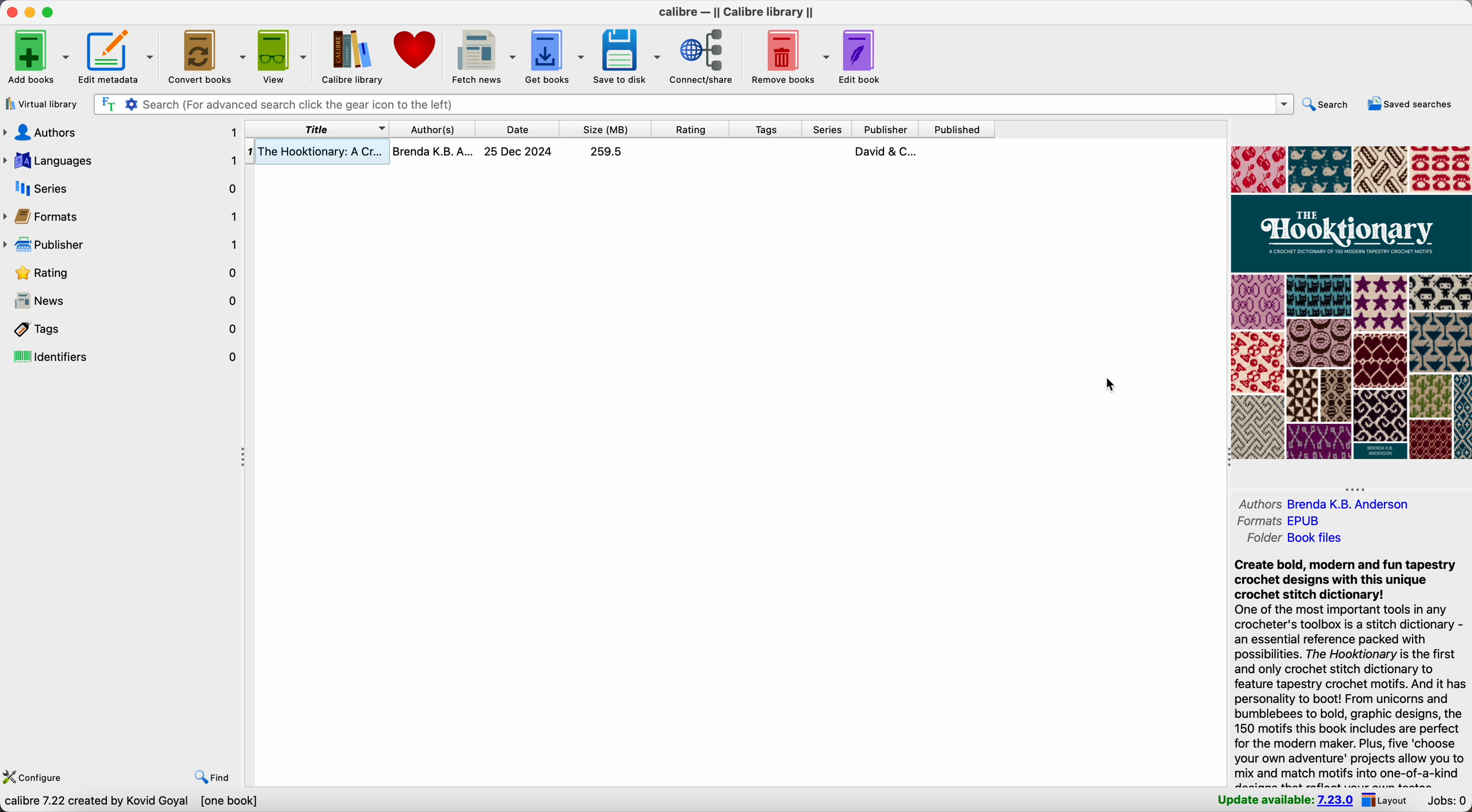 Image resolution: width=1472 pixels, height=812 pixels. What do you see at coordinates (1350, 303) in the screenshot?
I see `book cover preview` at bounding box center [1350, 303].